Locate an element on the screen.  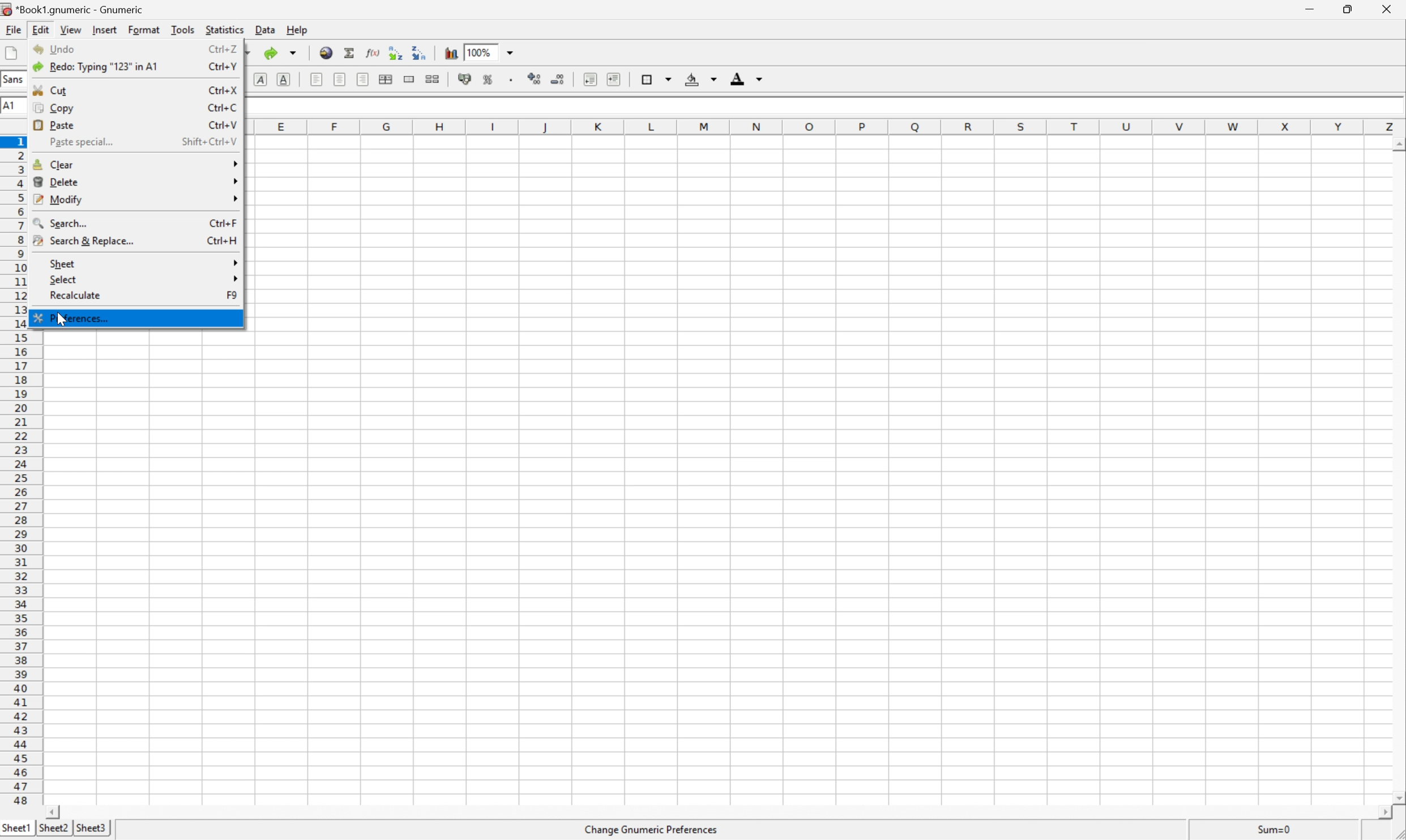
foreground color is located at coordinates (746, 78).